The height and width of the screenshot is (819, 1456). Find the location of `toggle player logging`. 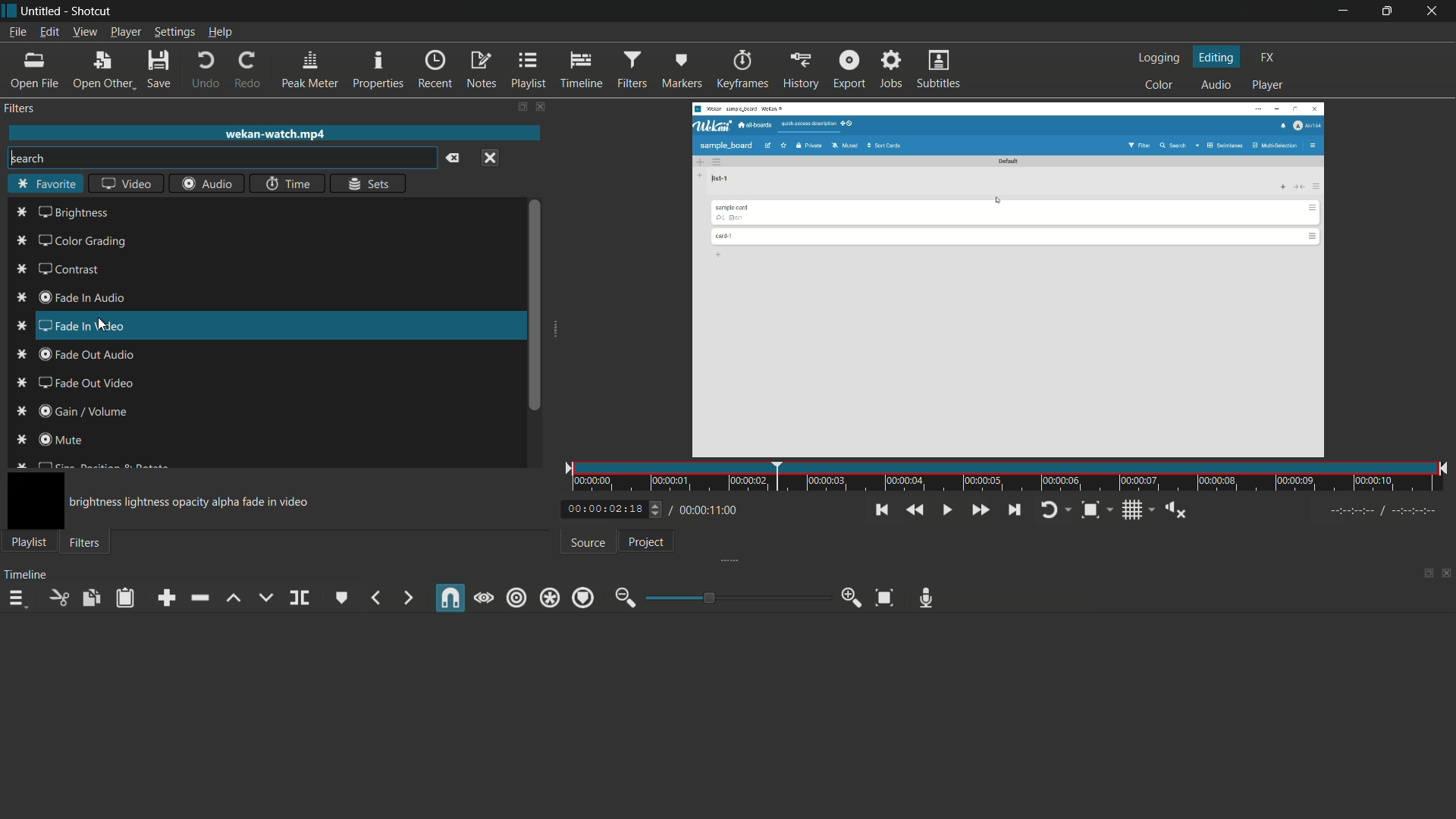

toggle player logging is located at coordinates (1052, 510).